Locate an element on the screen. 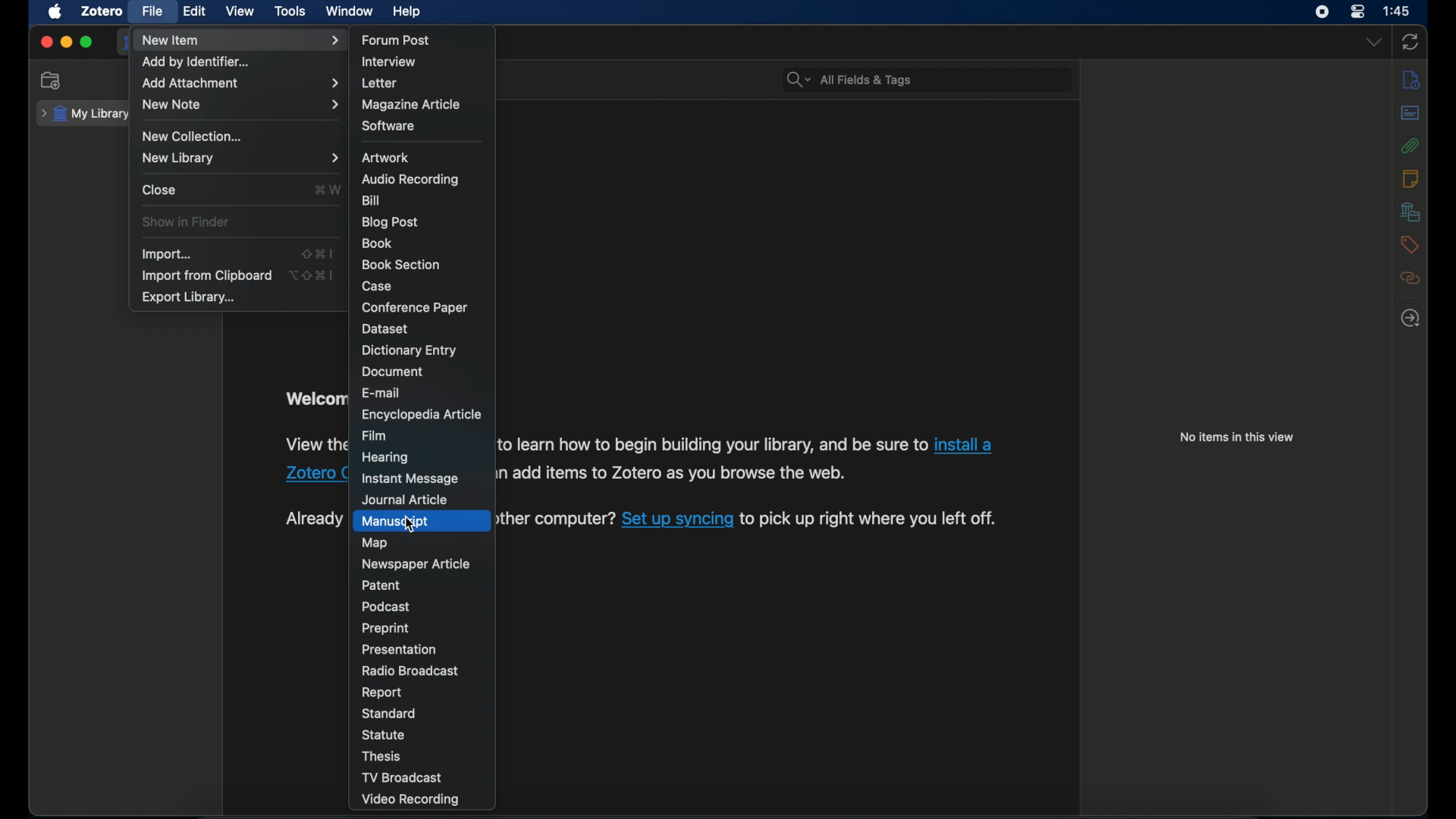 This screenshot has height=819, width=1456. locate is located at coordinates (1410, 318).